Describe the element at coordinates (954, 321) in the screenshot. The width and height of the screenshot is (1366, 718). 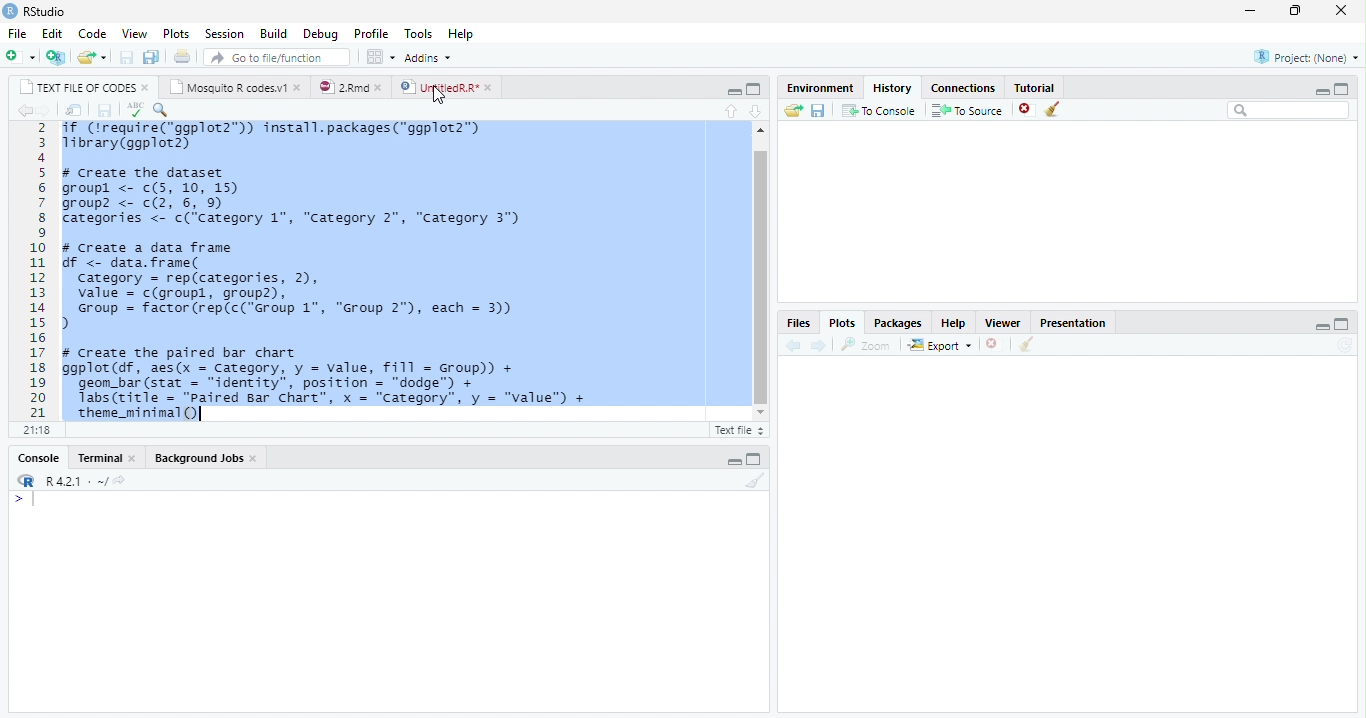
I see `help` at that location.